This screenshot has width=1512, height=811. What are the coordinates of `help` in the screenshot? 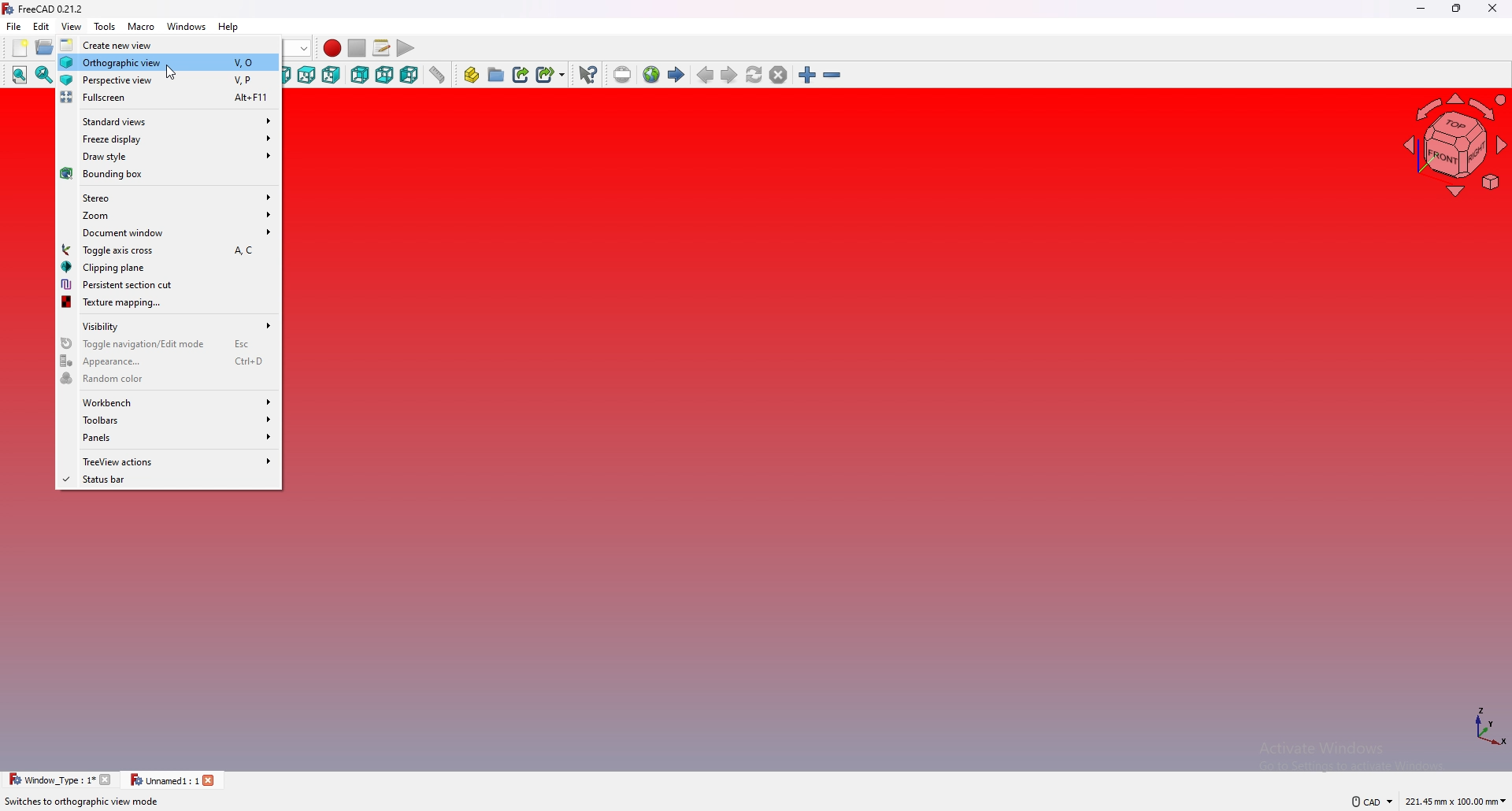 It's located at (230, 27).